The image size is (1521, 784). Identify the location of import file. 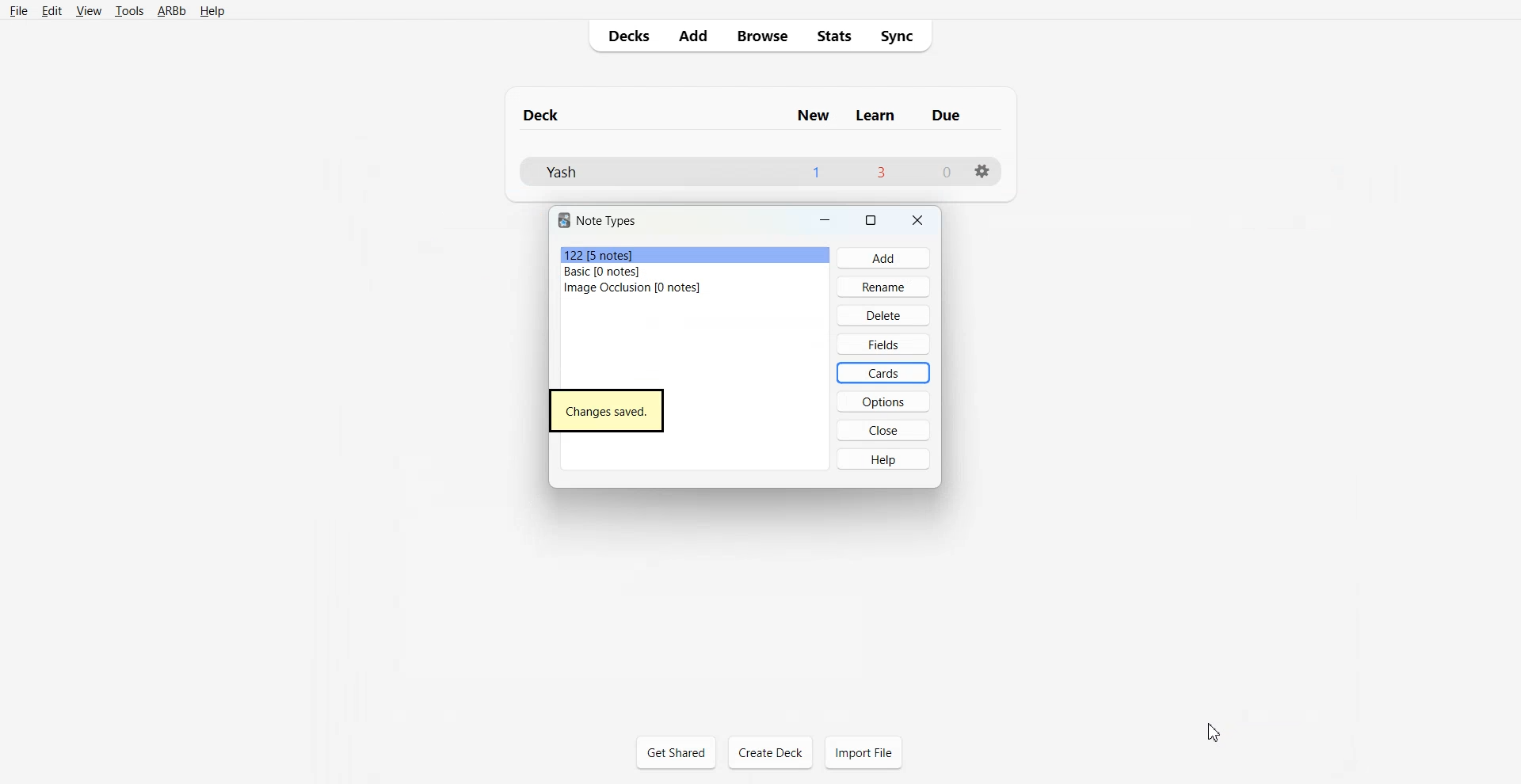
(872, 754).